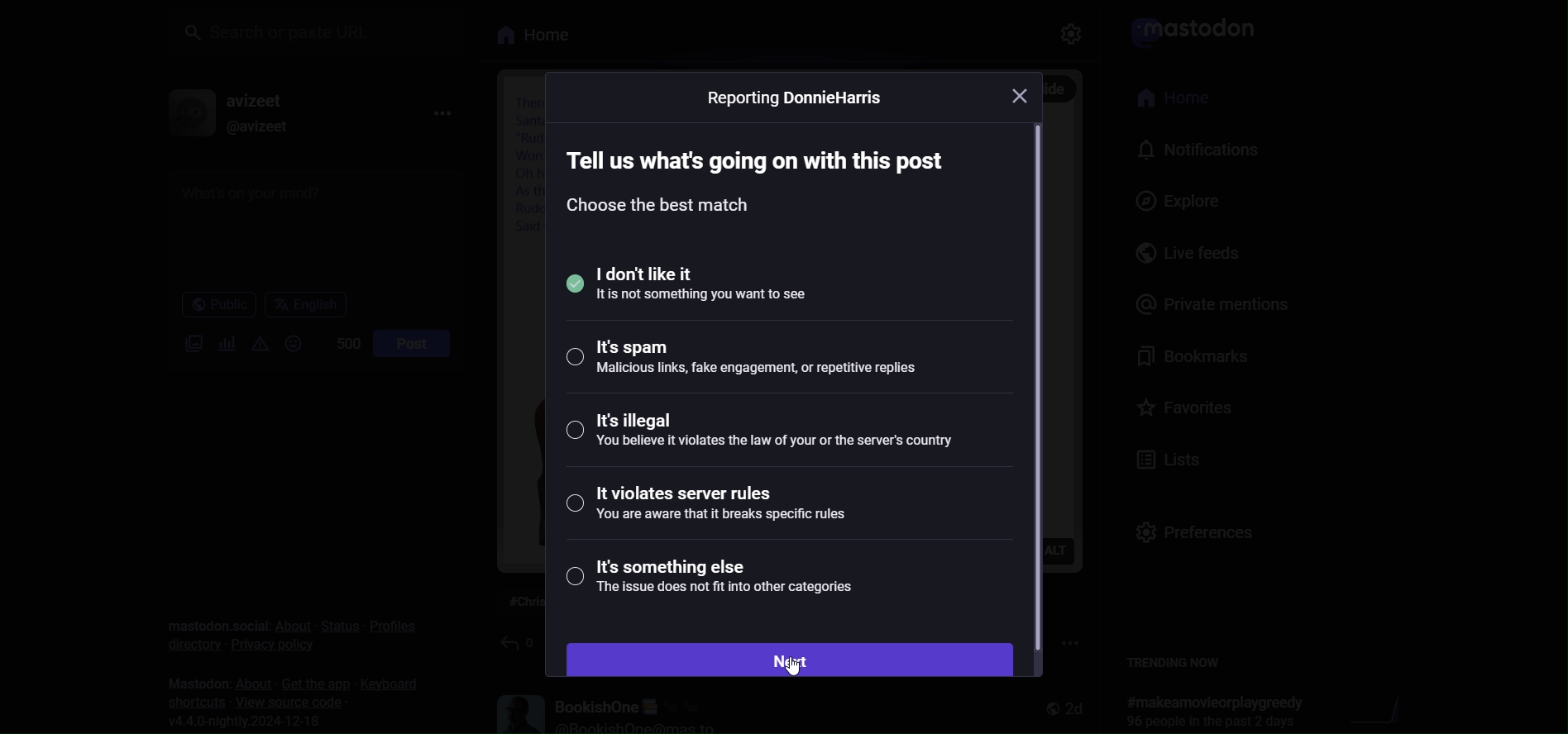 Image resolution: width=1568 pixels, height=734 pixels. Describe the element at coordinates (309, 683) in the screenshot. I see `get the app` at that location.